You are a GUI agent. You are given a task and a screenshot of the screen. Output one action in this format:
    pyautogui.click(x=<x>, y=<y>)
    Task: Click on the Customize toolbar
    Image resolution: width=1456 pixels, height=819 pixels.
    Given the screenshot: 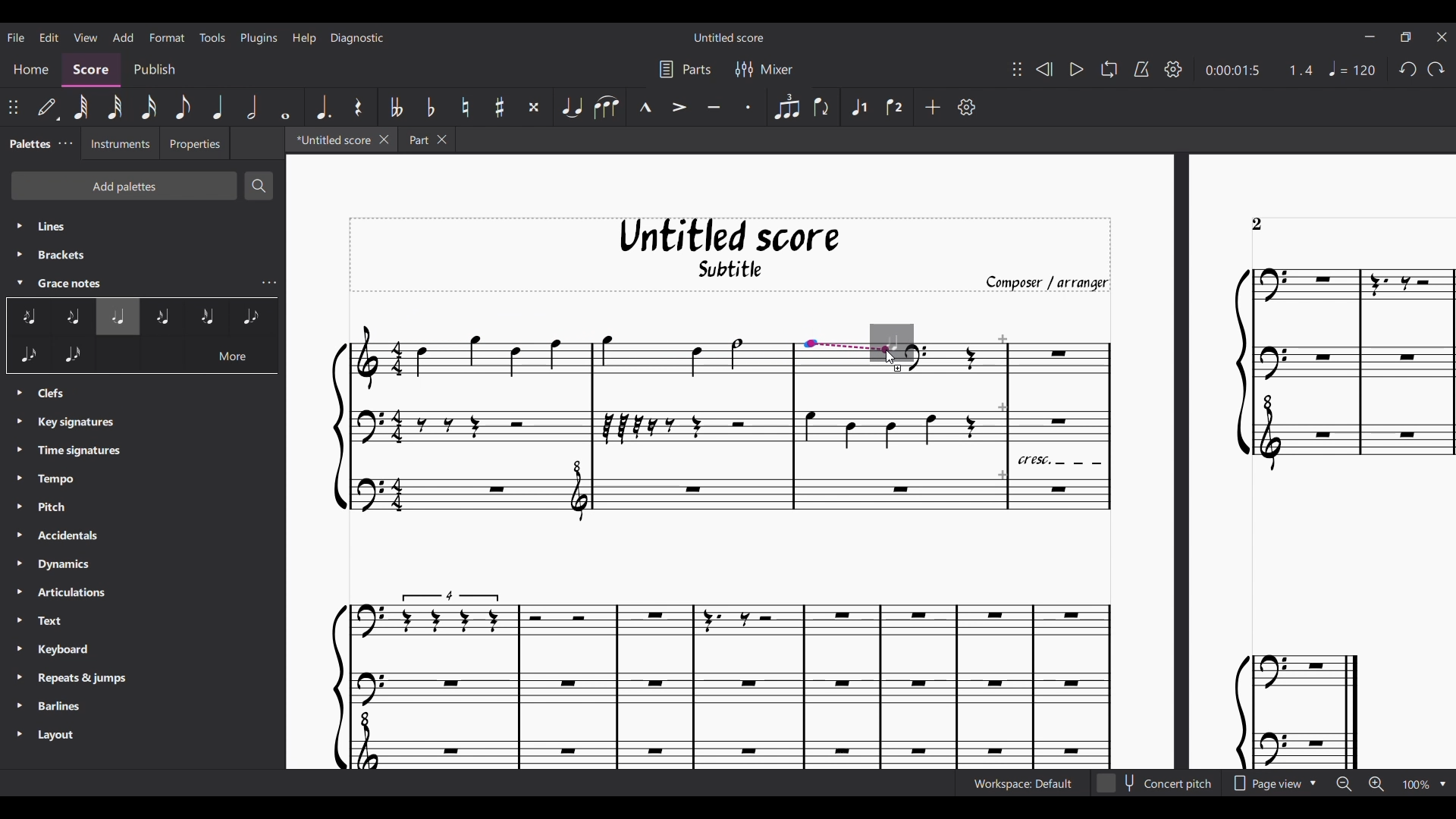 What is the action you would take?
    pyautogui.click(x=967, y=107)
    